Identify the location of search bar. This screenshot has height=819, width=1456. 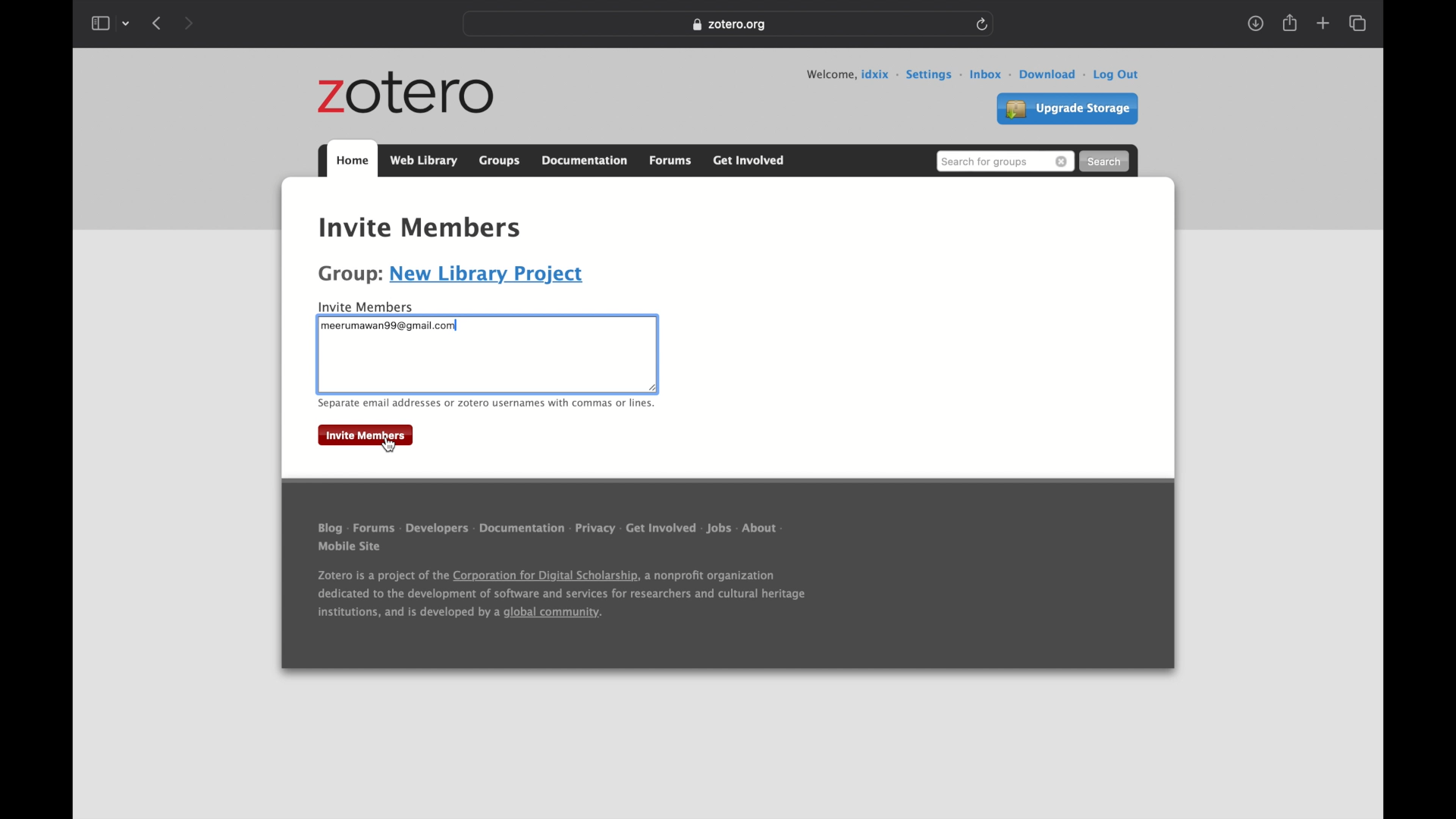
(1005, 162).